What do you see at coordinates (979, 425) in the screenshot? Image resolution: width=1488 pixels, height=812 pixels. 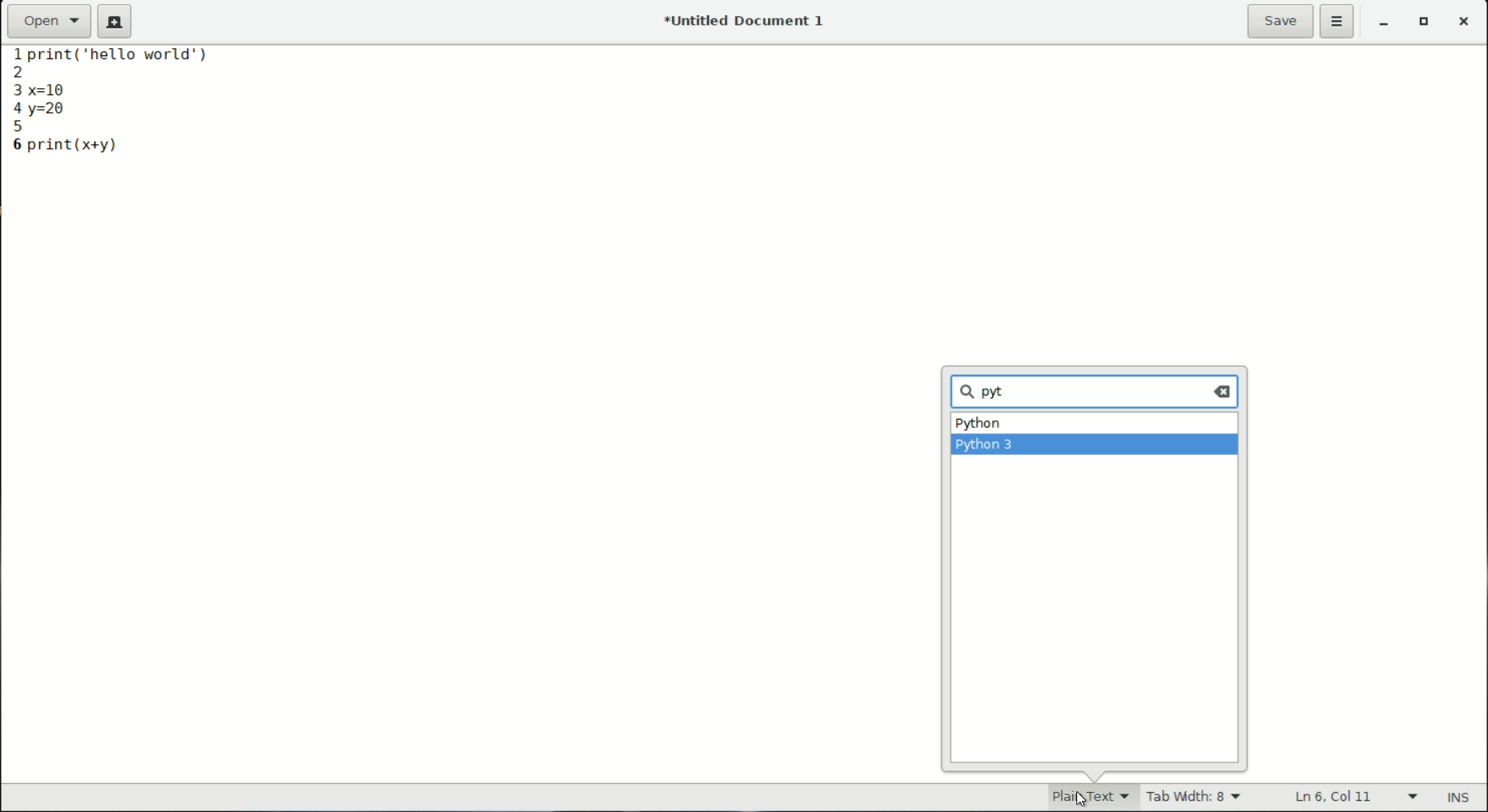 I see `python` at bounding box center [979, 425].